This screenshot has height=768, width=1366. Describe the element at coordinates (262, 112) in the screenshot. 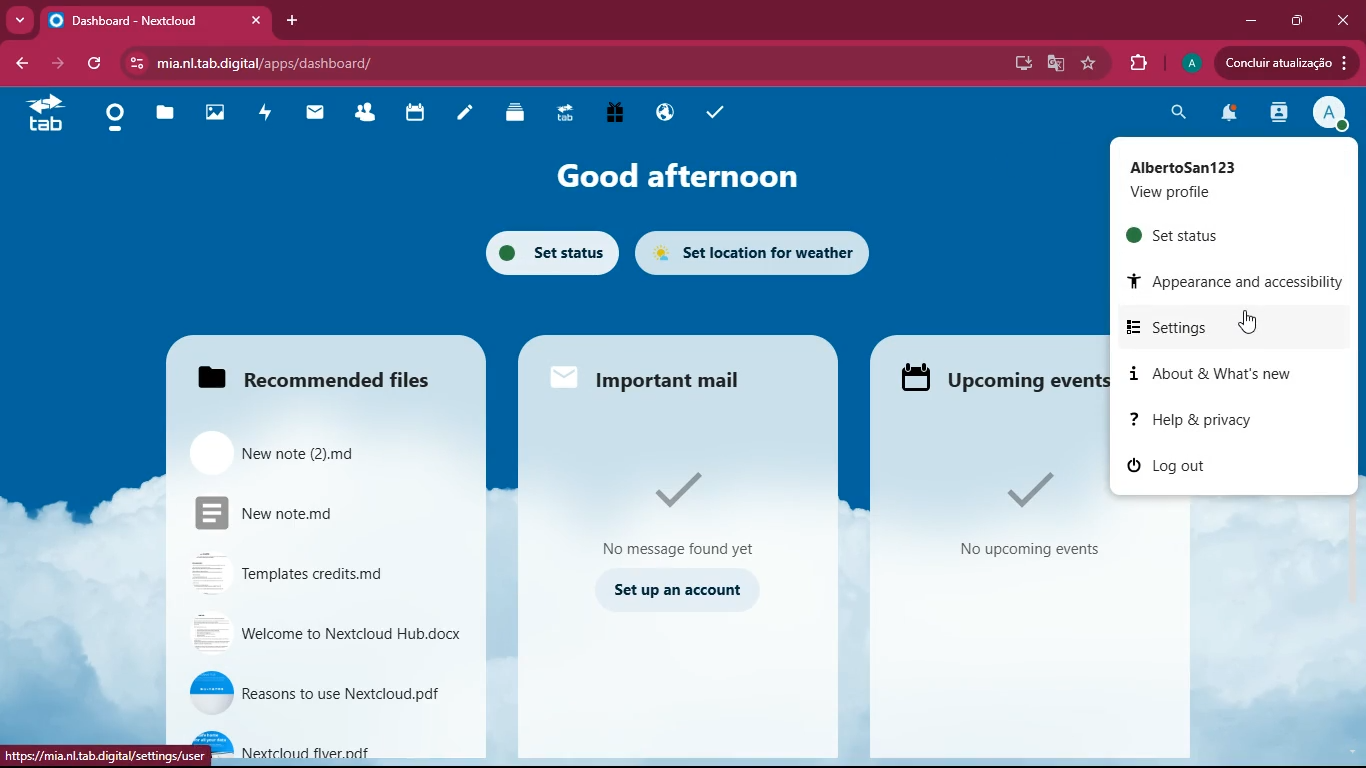

I see `activity` at that location.